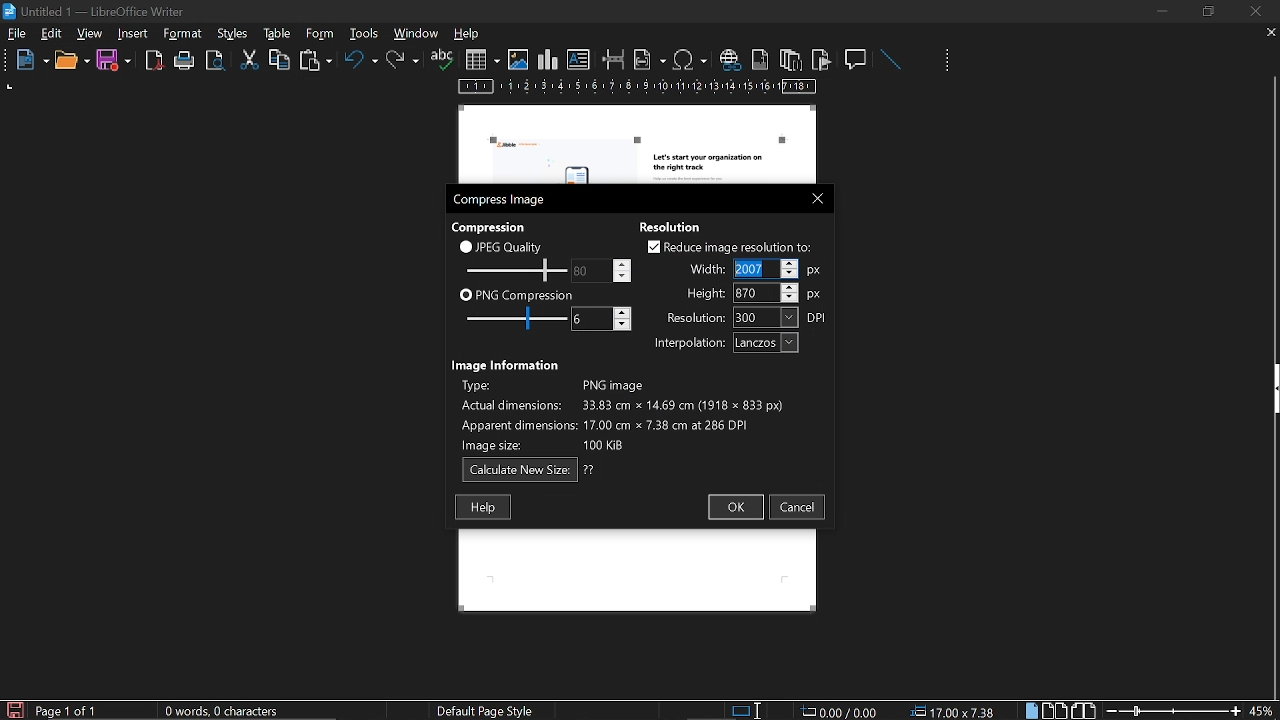 The height and width of the screenshot is (720, 1280). What do you see at coordinates (747, 317) in the screenshot?
I see `resolution` at bounding box center [747, 317].